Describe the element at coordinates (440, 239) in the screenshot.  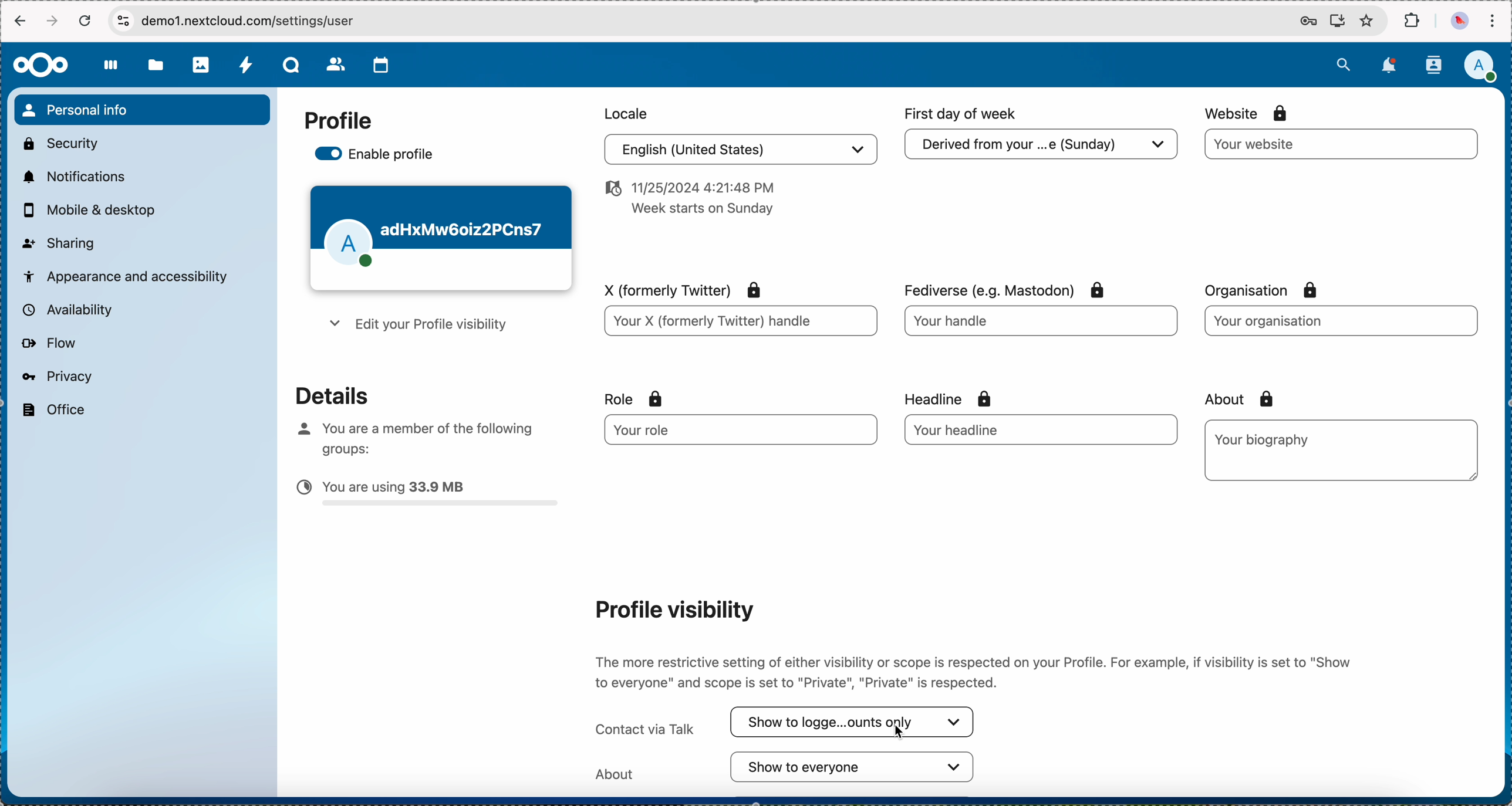
I see `profile theme` at that location.